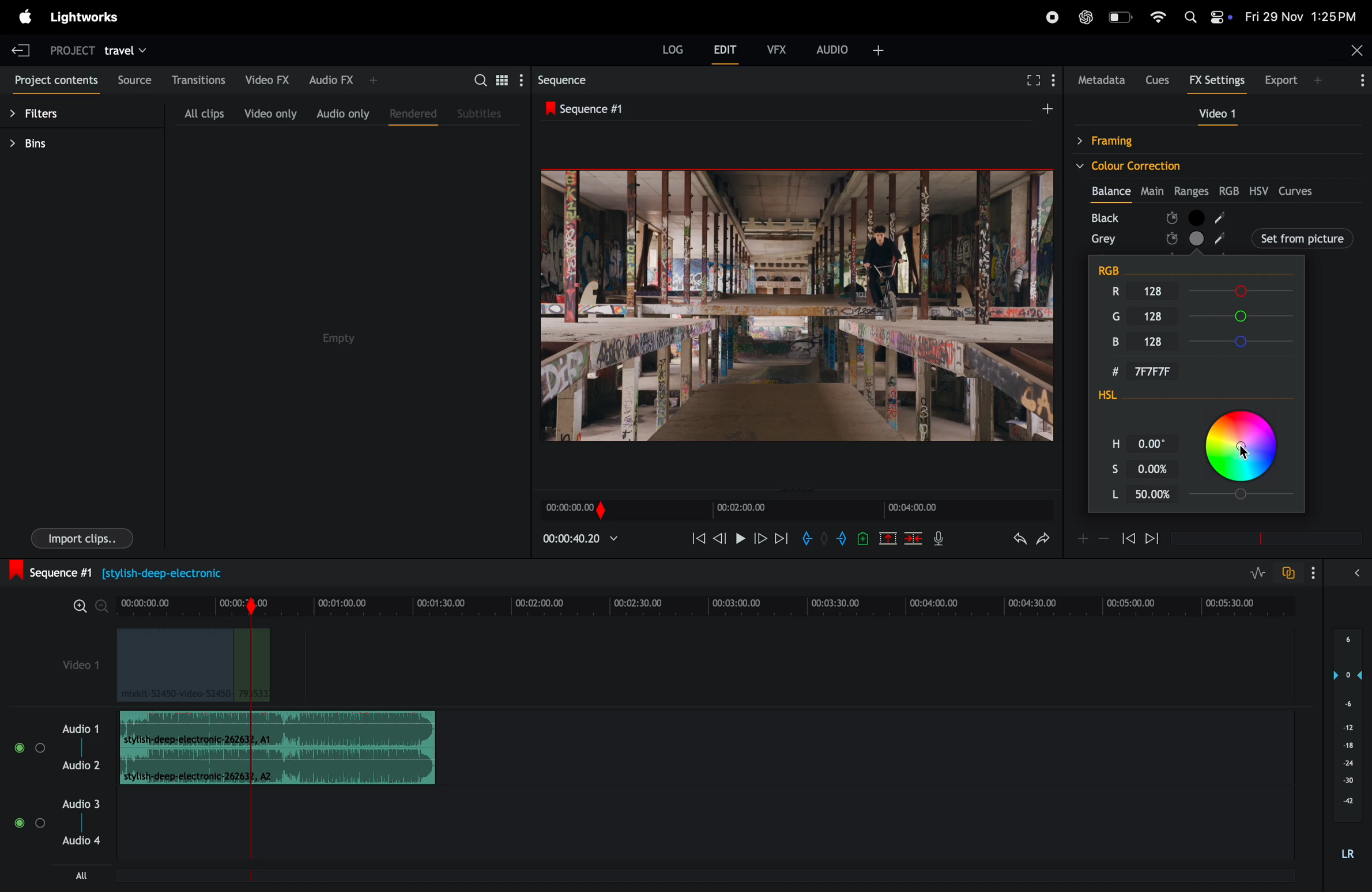 This screenshot has width=1372, height=892. I want to click on Log, so click(673, 49).